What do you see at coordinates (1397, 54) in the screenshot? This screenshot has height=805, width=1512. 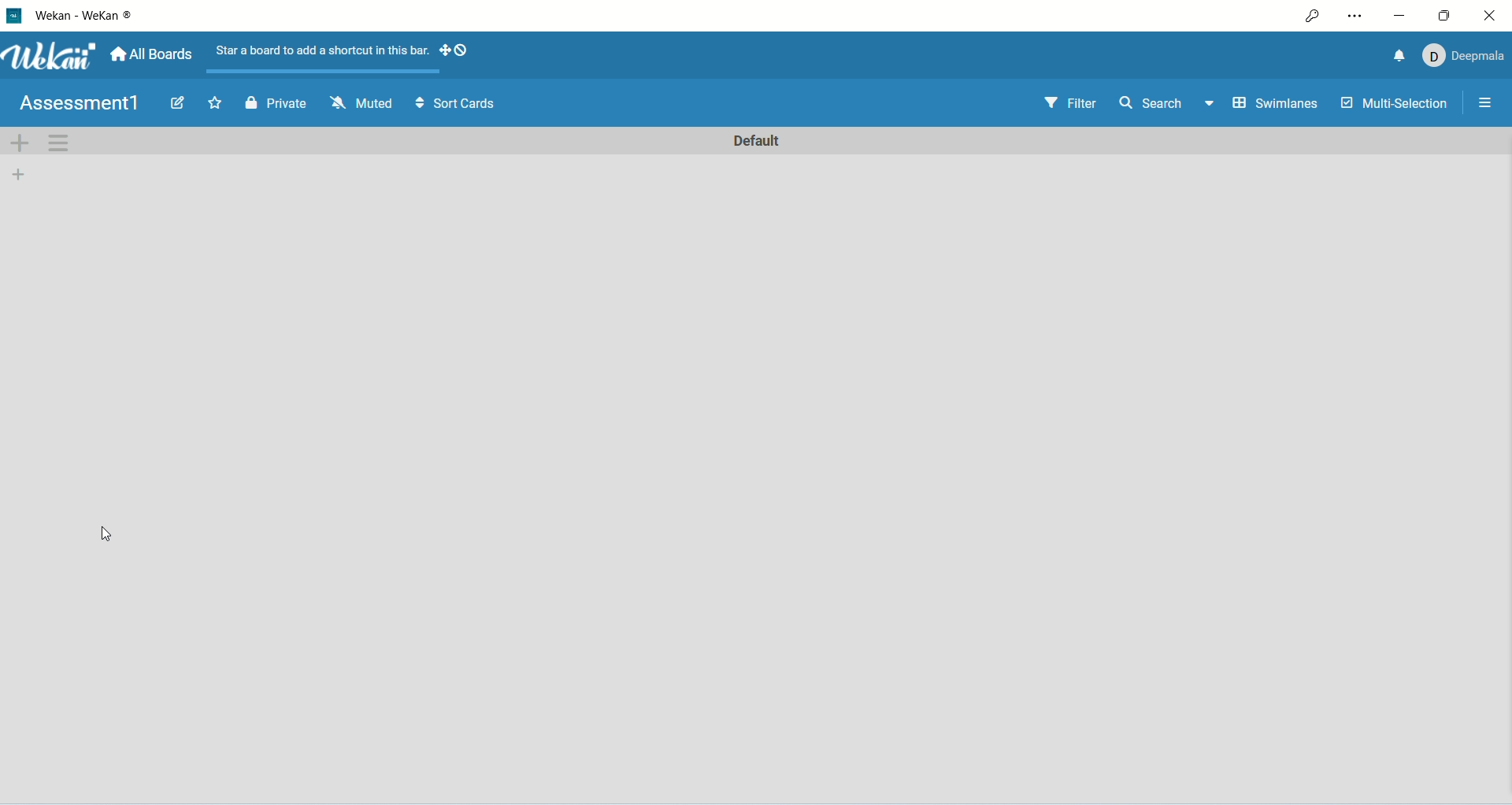 I see `notification` at bounding box center [1397, 54].